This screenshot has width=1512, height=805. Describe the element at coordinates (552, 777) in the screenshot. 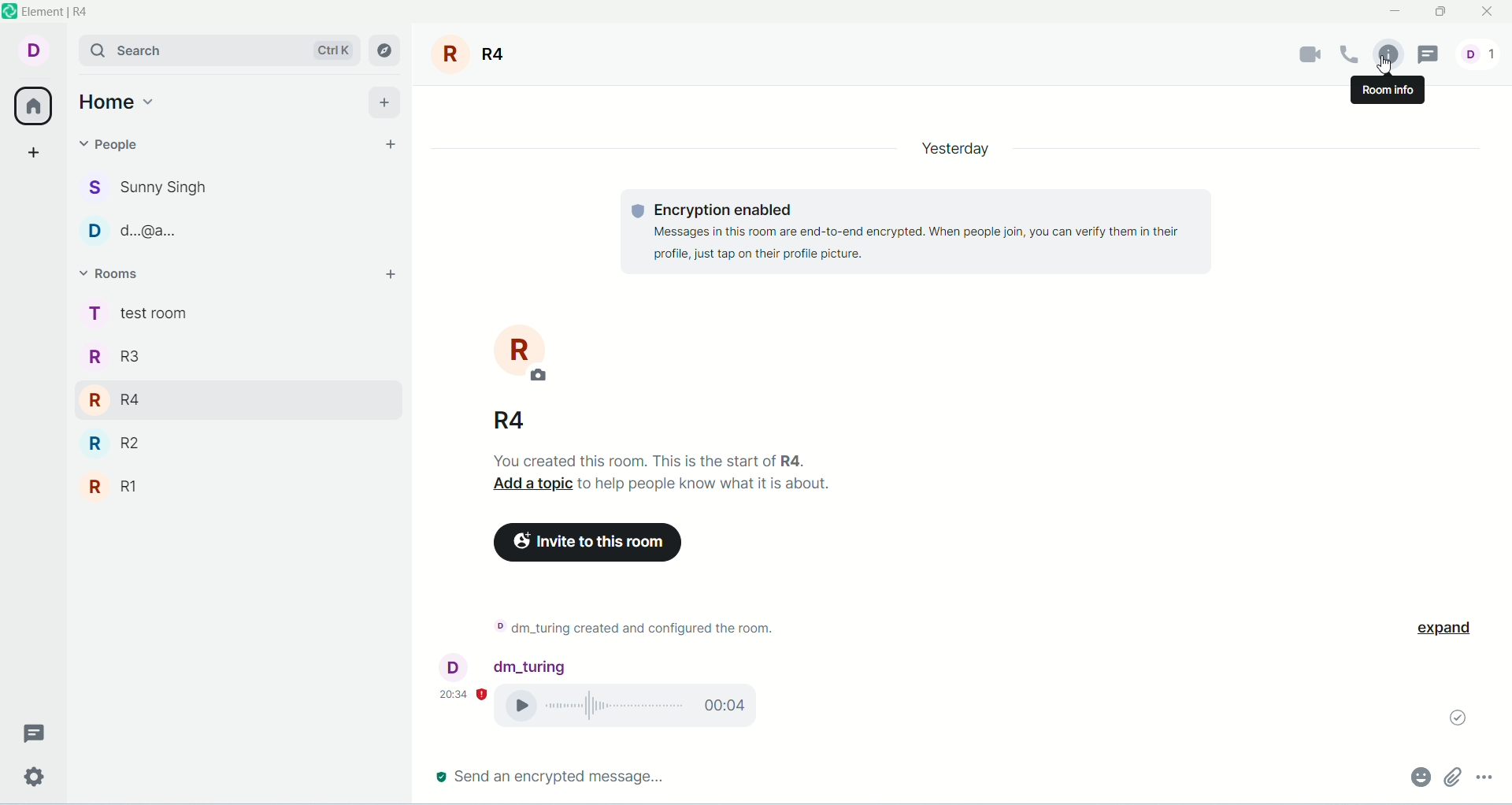

I see `send message` at that location.